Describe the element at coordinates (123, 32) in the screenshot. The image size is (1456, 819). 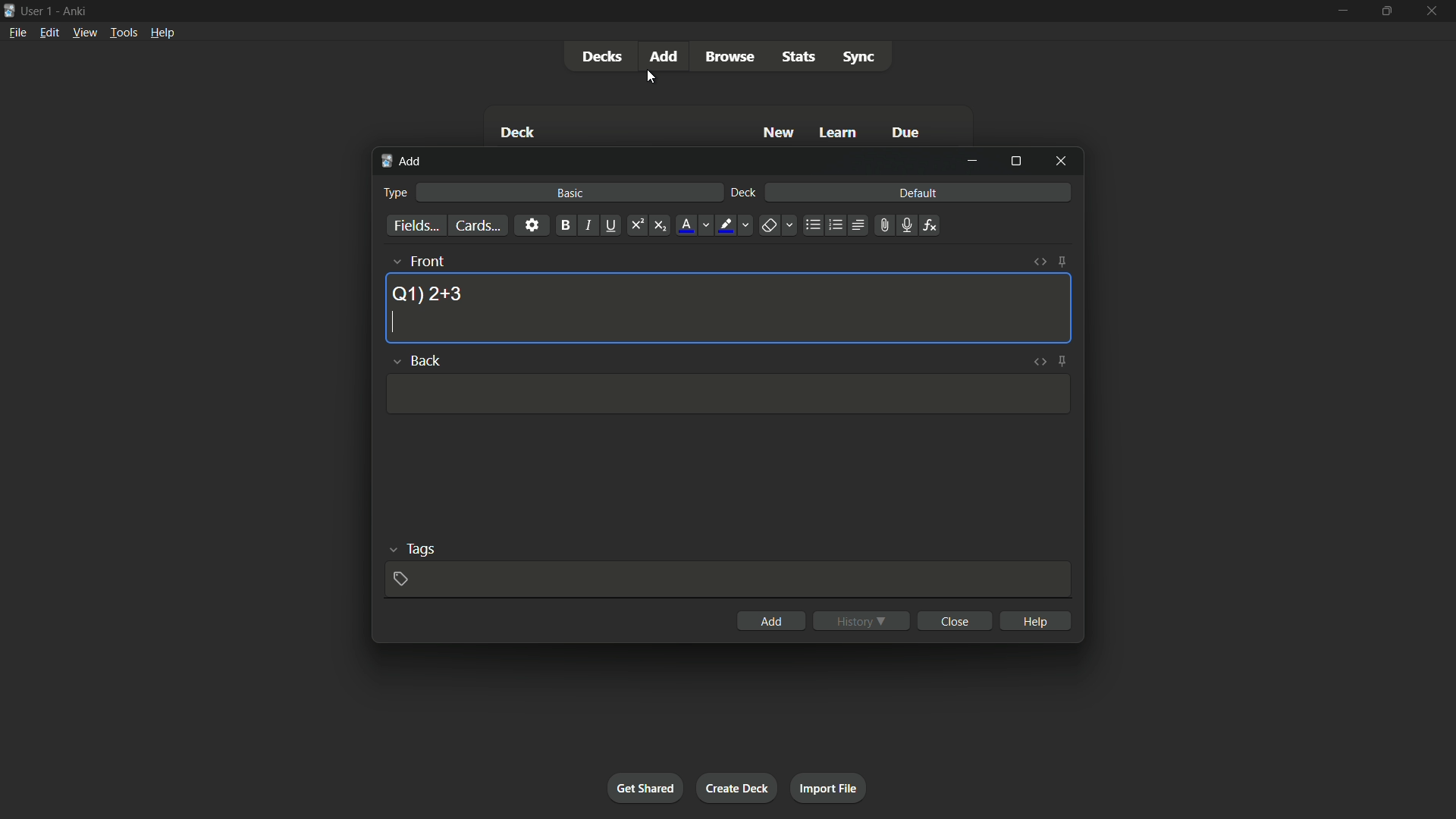
I see `tools menu` at that location.